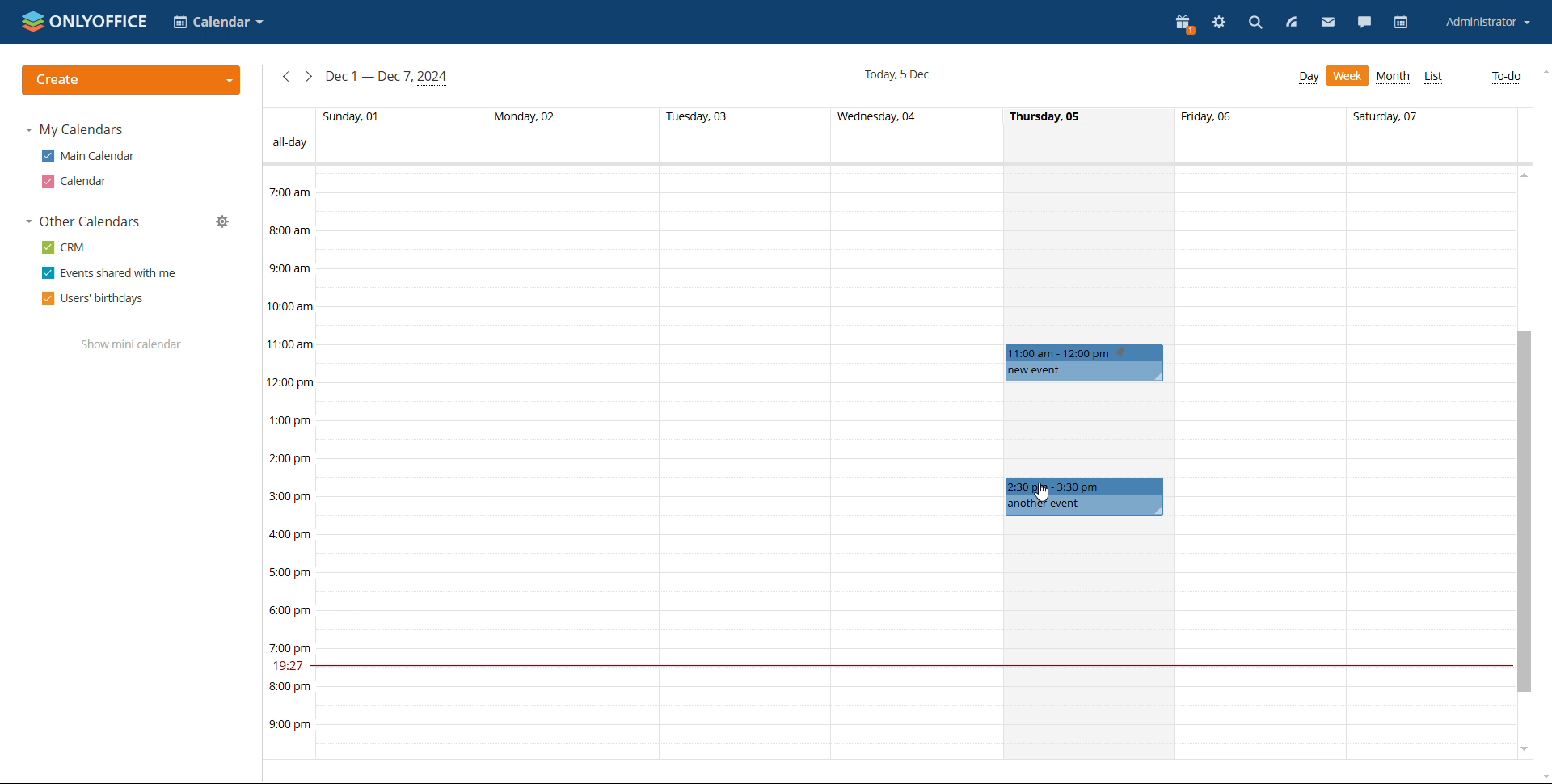  Describe the element at coordinates (290, 194) in the screenshot. I see `7:00 am` at that location.